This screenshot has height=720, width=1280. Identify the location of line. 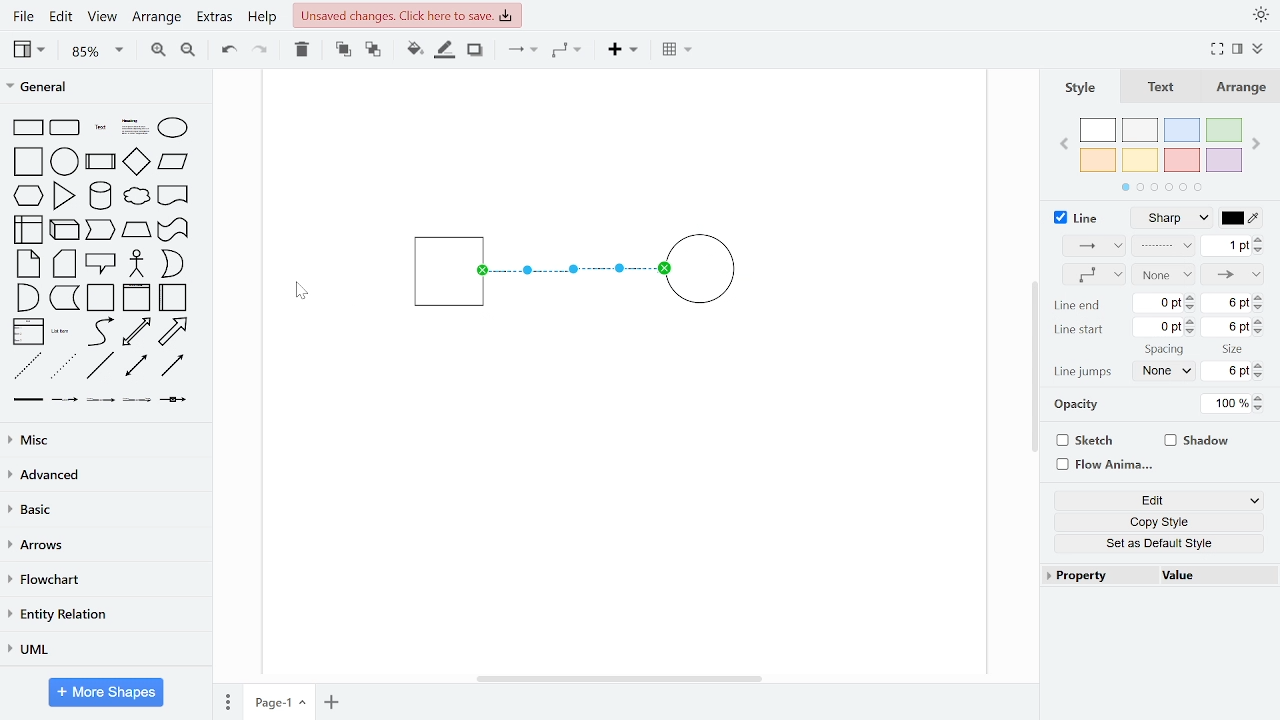
(1077, 218).